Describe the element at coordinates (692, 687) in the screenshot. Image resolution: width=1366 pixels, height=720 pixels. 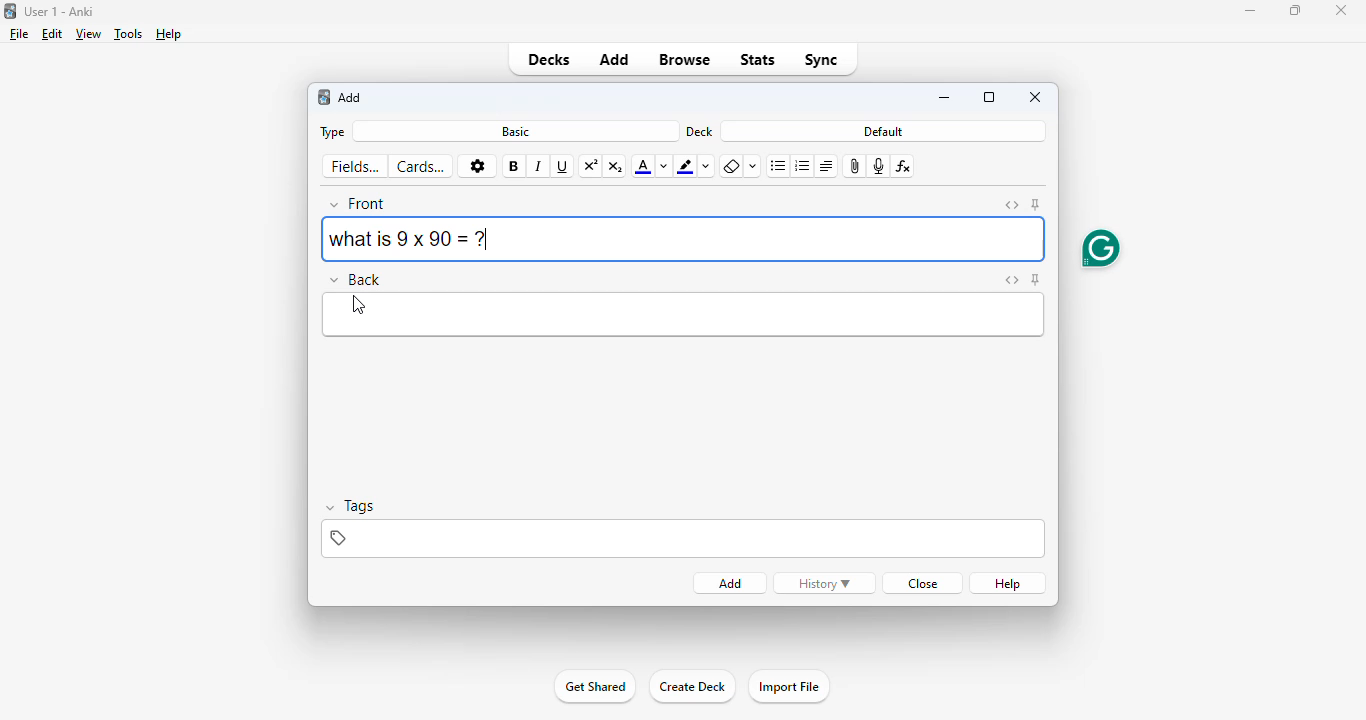
I see `create deck` at that location.